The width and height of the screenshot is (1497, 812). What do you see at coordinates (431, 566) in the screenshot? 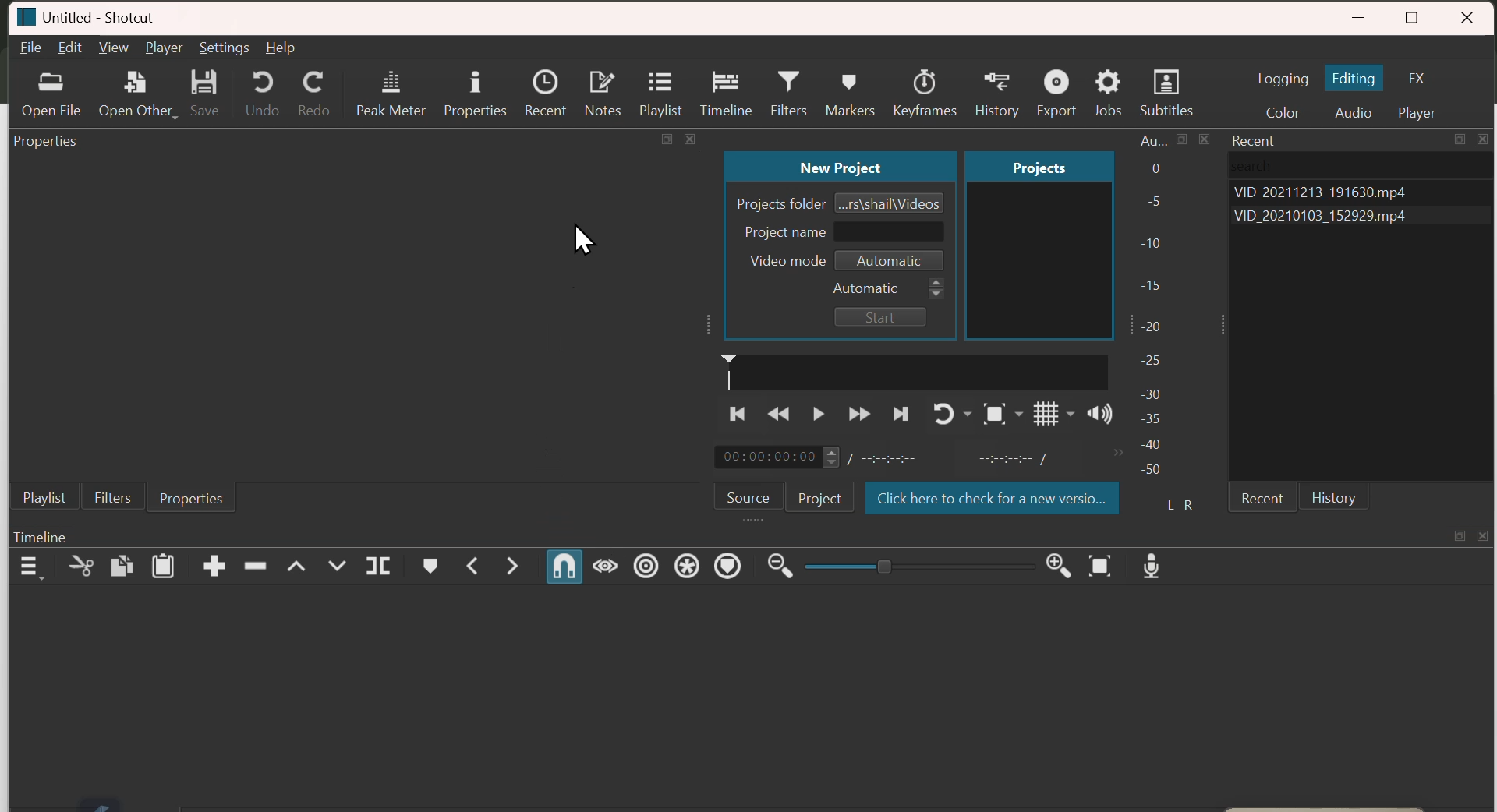
I see `Edit/create Marker` at bounding box center [431, 566].